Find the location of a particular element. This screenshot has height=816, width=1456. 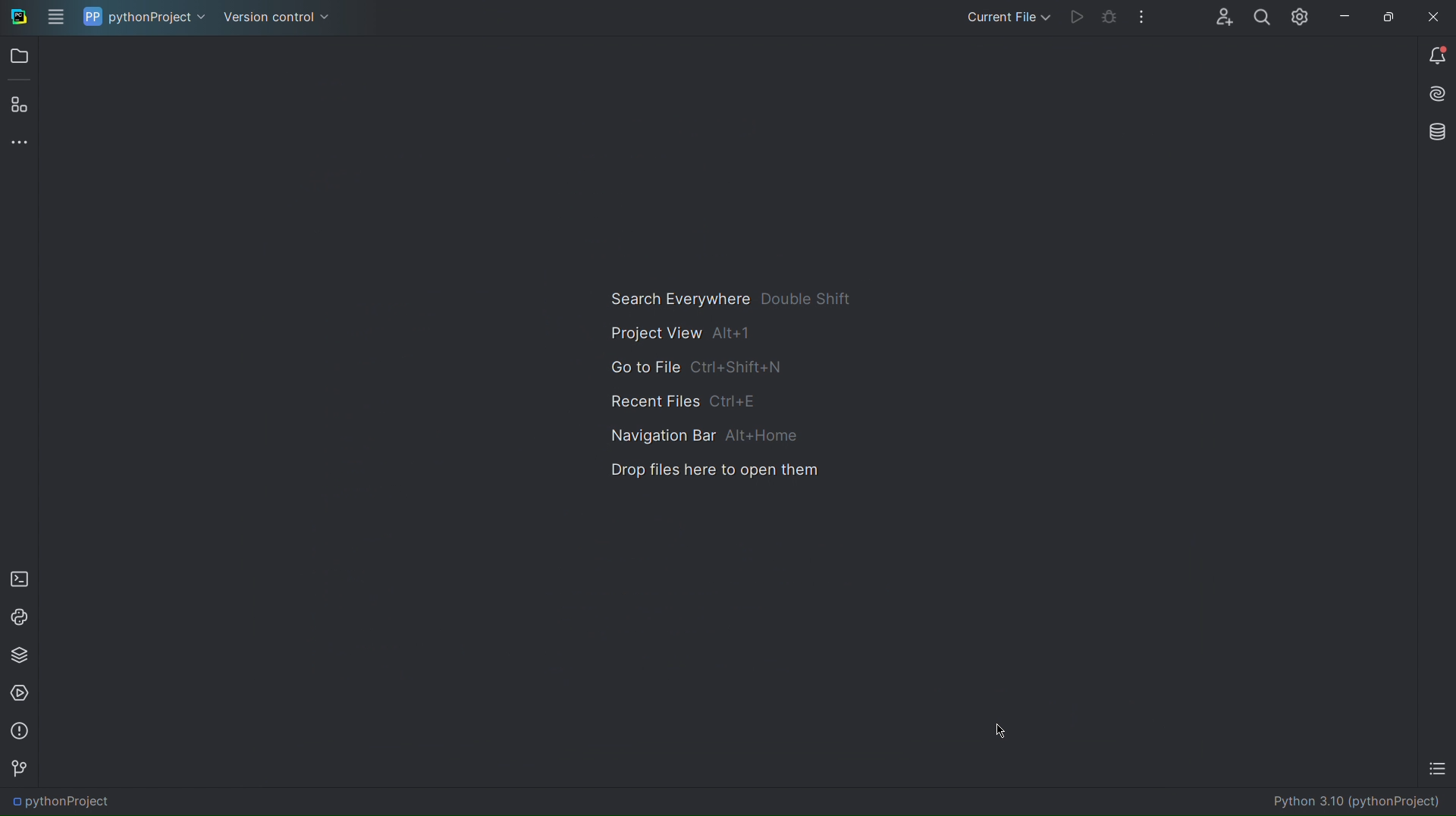

Run is located at coordinates (1077, 19).